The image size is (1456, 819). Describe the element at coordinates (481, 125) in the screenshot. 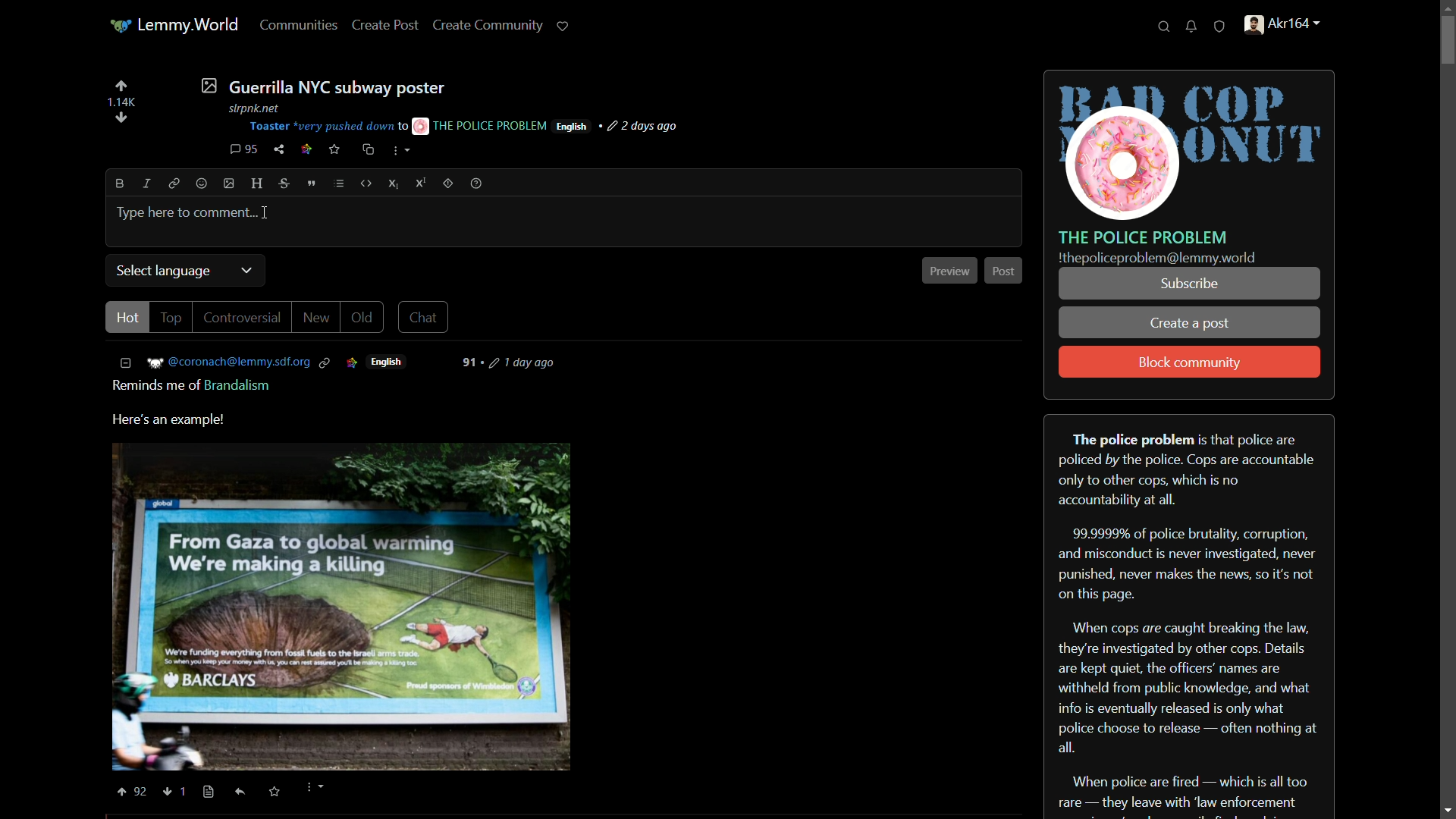

I see `THE POLICE PROBLEM` at that location.